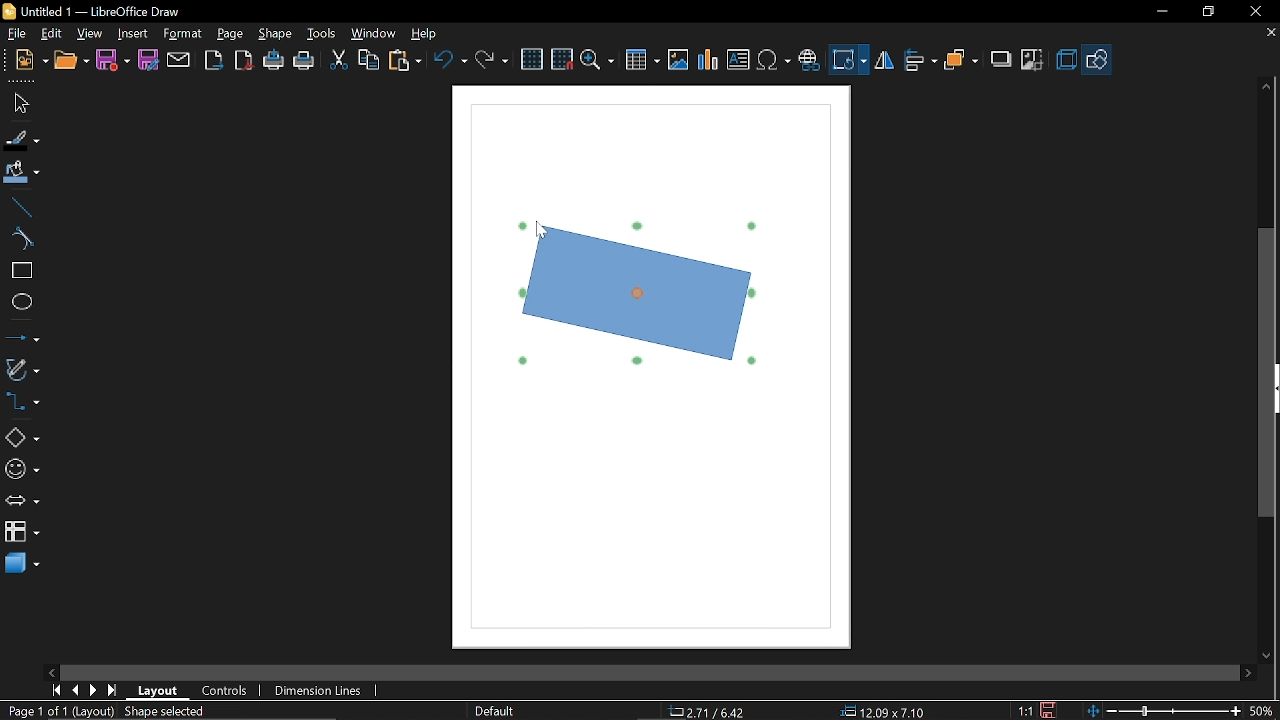 The width and height of the screenshot is (1280, 720). I want to click on UNdo, so click(452, 59).